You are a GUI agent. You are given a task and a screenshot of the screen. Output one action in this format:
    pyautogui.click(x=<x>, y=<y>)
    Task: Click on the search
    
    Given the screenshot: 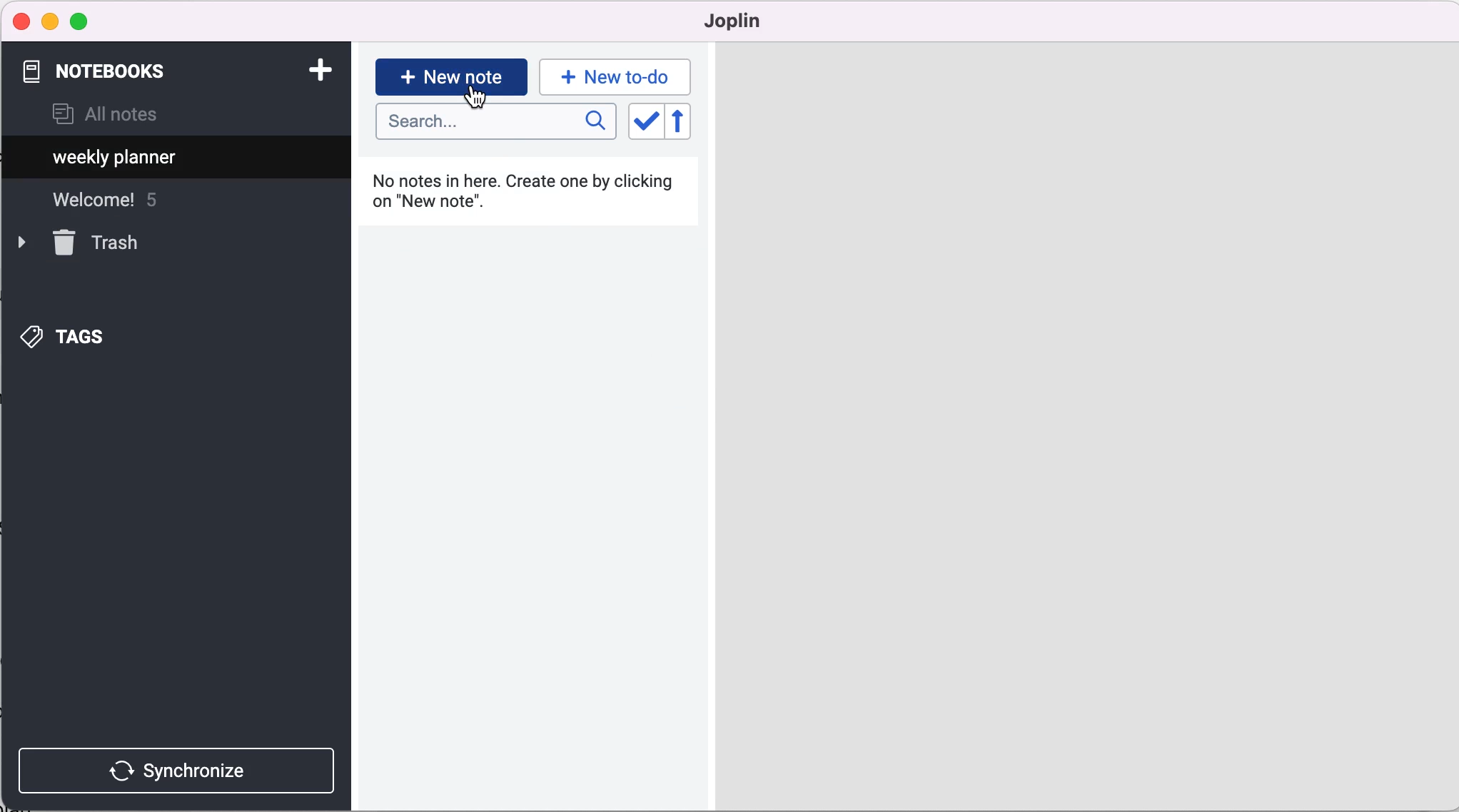 What is the action you would take?
    pyautogui.click(x=495, y=122)
    